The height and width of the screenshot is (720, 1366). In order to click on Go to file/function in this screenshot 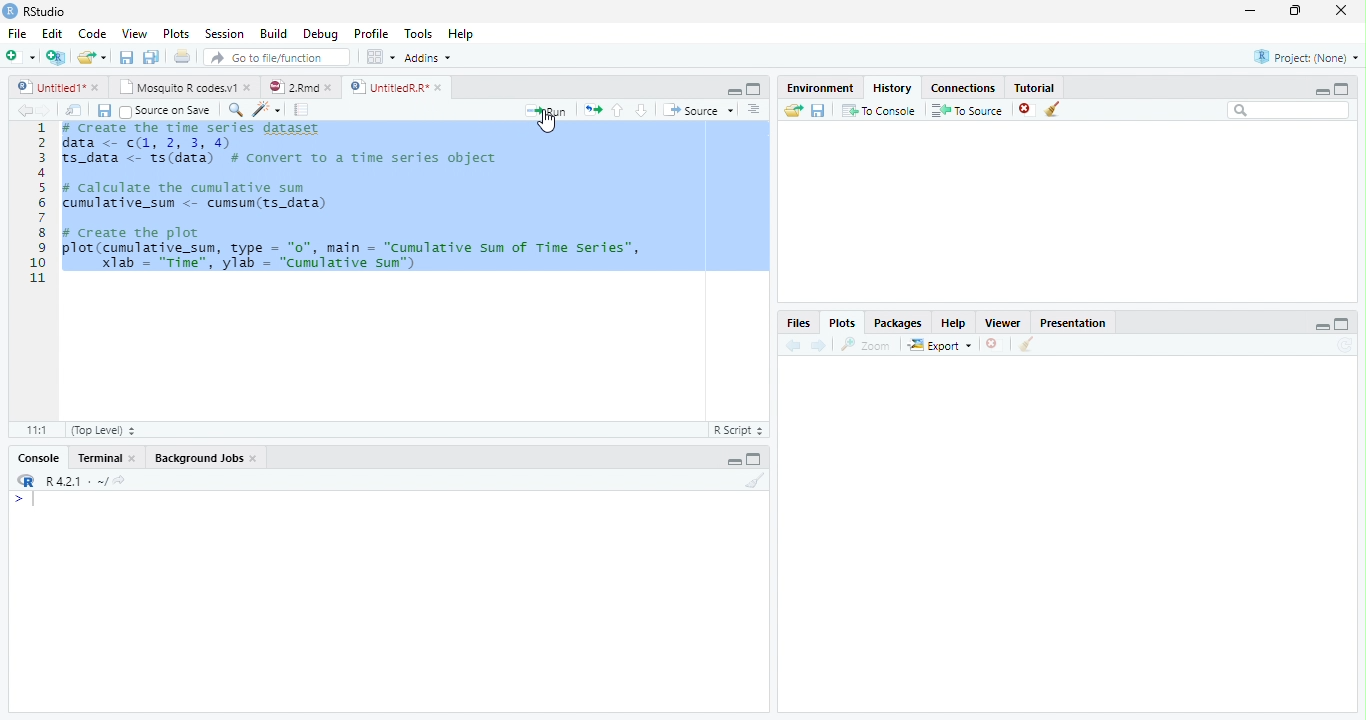, I will do `click(279, 58)`.